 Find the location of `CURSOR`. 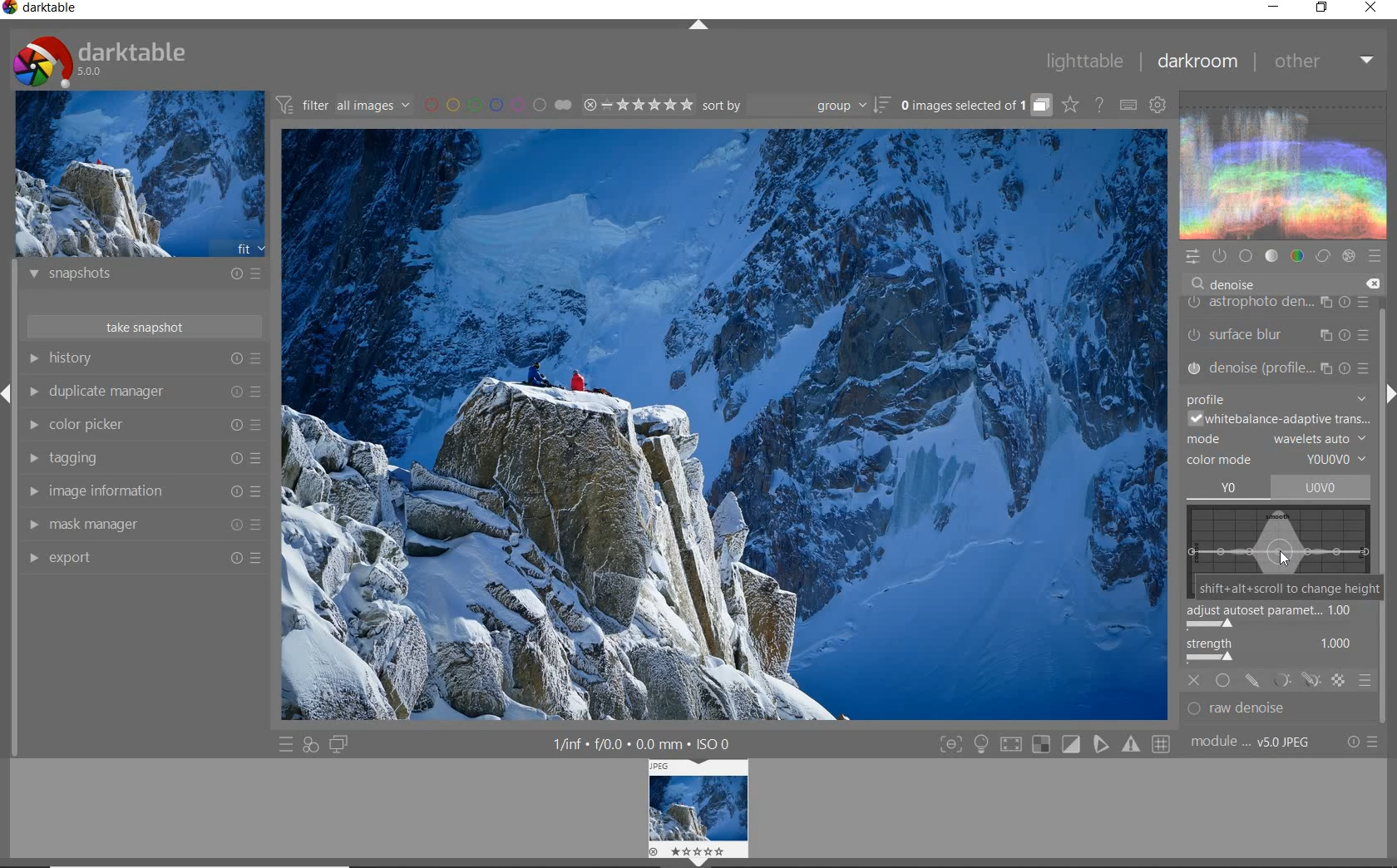

CURSOR is located at coordinates (1346, 492).